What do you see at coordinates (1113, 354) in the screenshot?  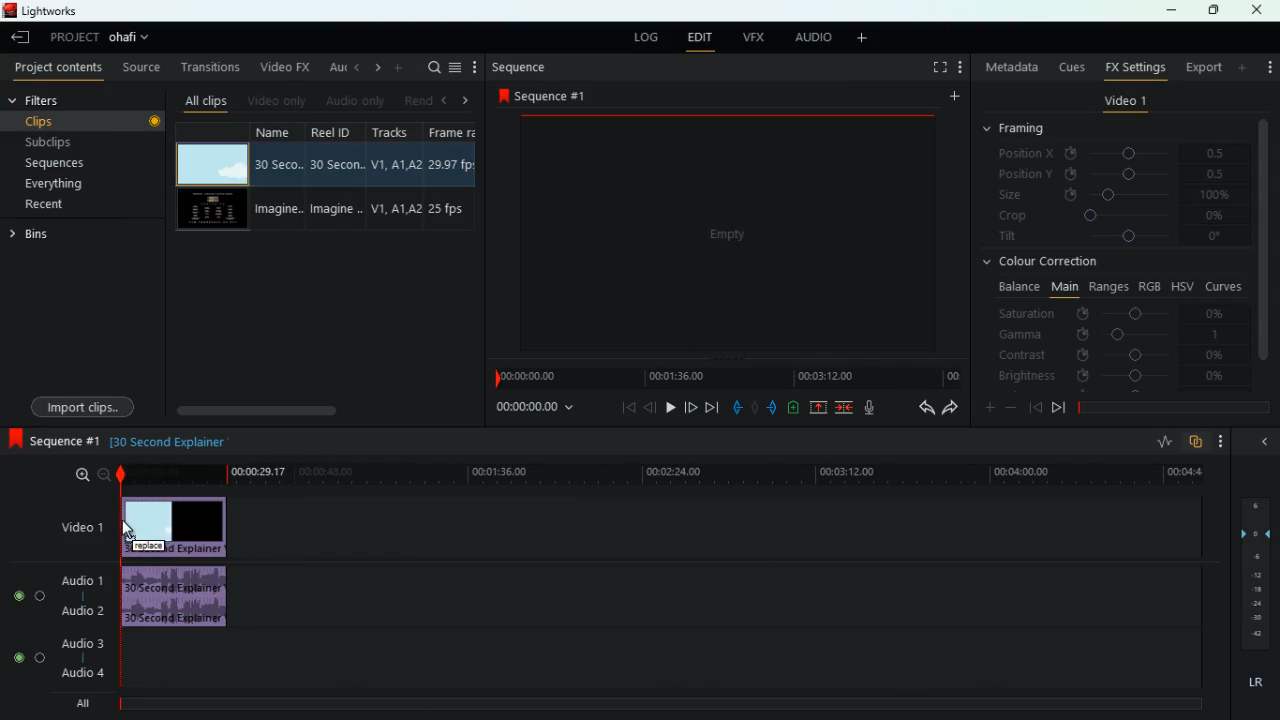 I see `contrast` at bounding box center [1113, 354].